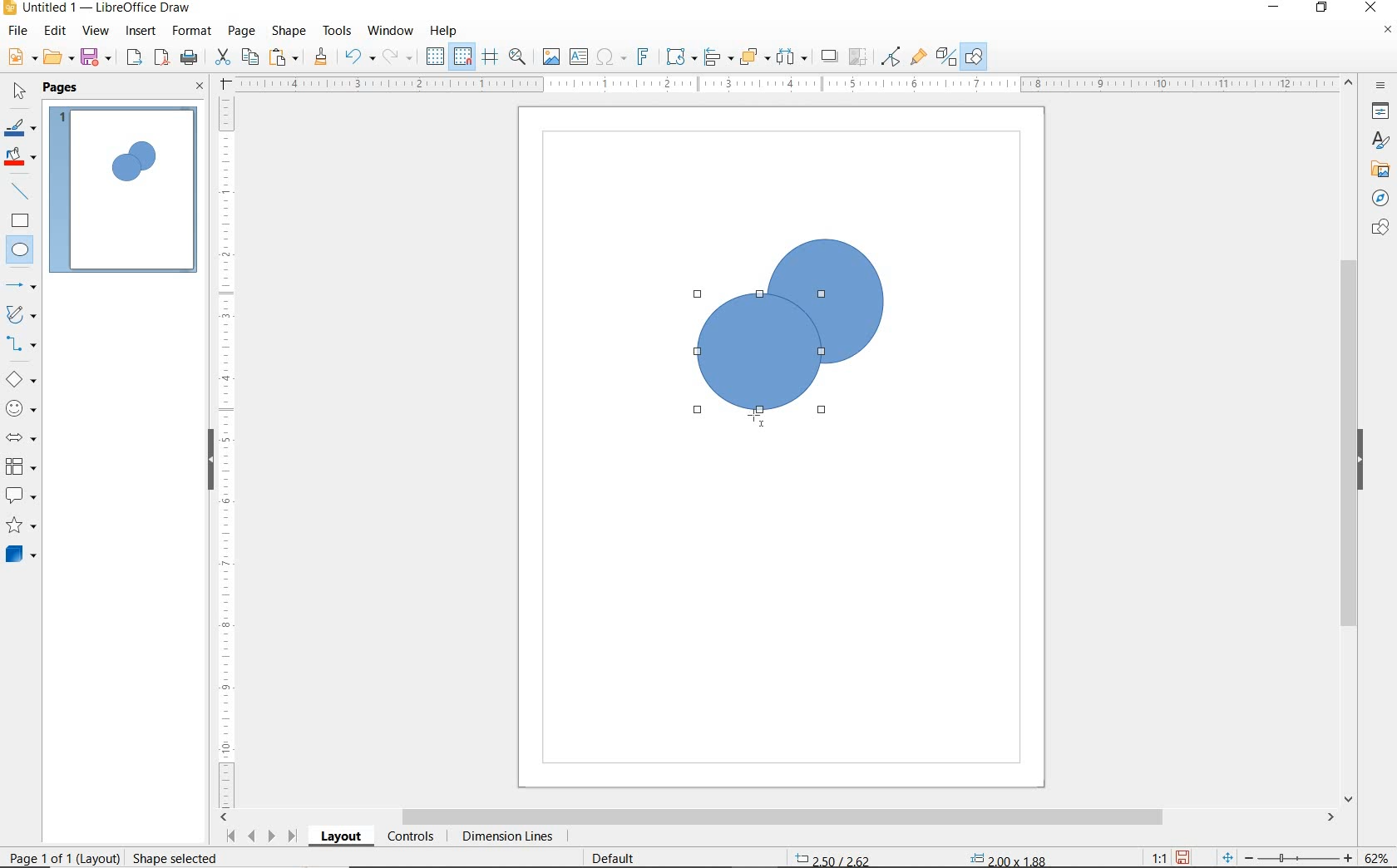 The height and width of the screenshot is (868, 1397). What do you see at coordinates (143, 32) in the screenshot?
I see `INSERT` at bounding box center [143, 32].